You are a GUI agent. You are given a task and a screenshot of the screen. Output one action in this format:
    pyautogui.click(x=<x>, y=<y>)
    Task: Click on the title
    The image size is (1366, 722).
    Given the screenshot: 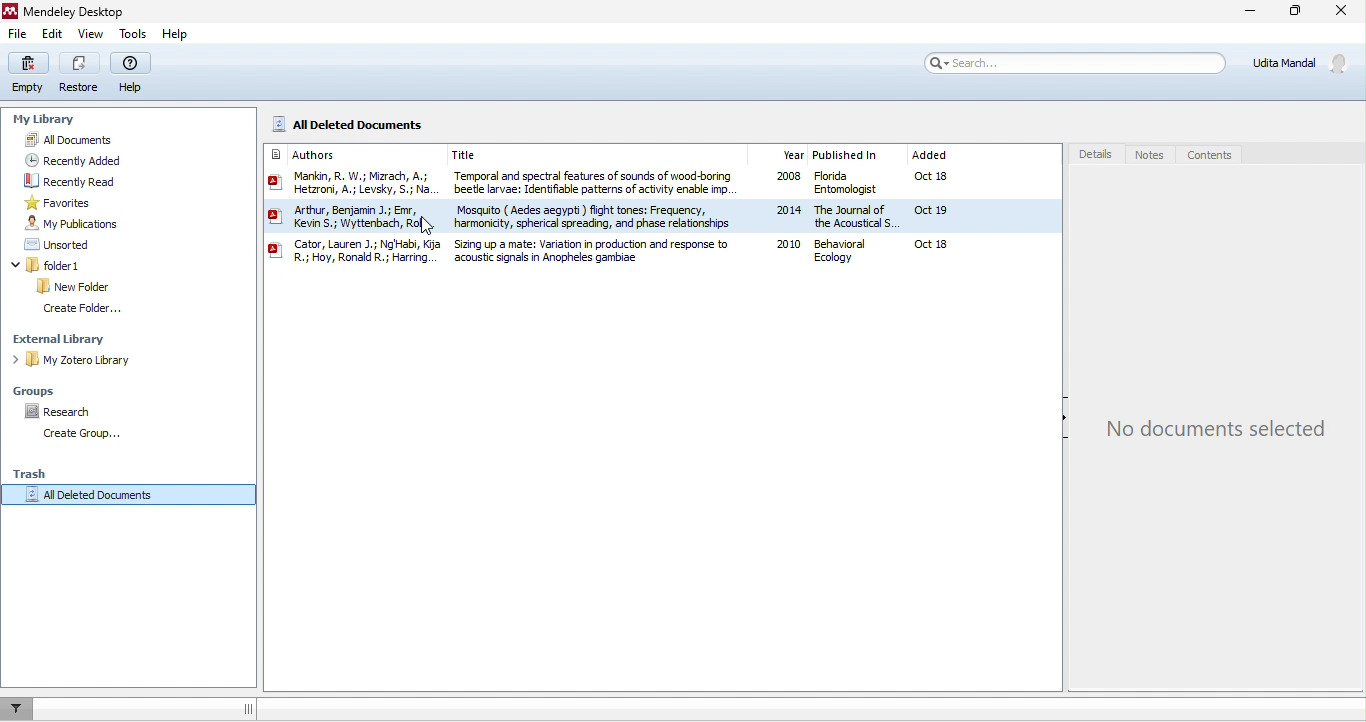 What is the action you would take?
    pyautogui.click(x=67, y=11)
    